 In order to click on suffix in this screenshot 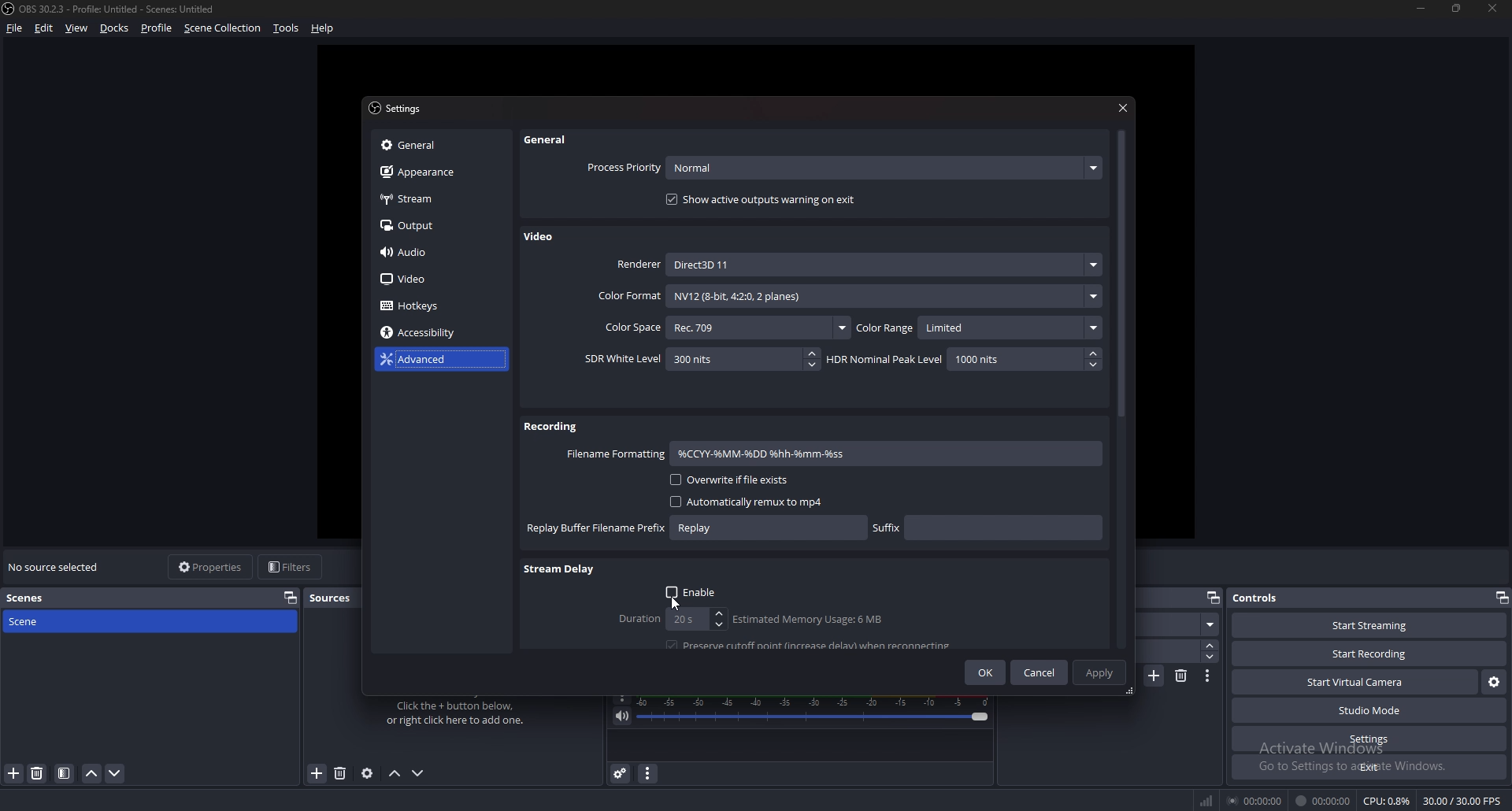, I will do `click(988, 526)`.